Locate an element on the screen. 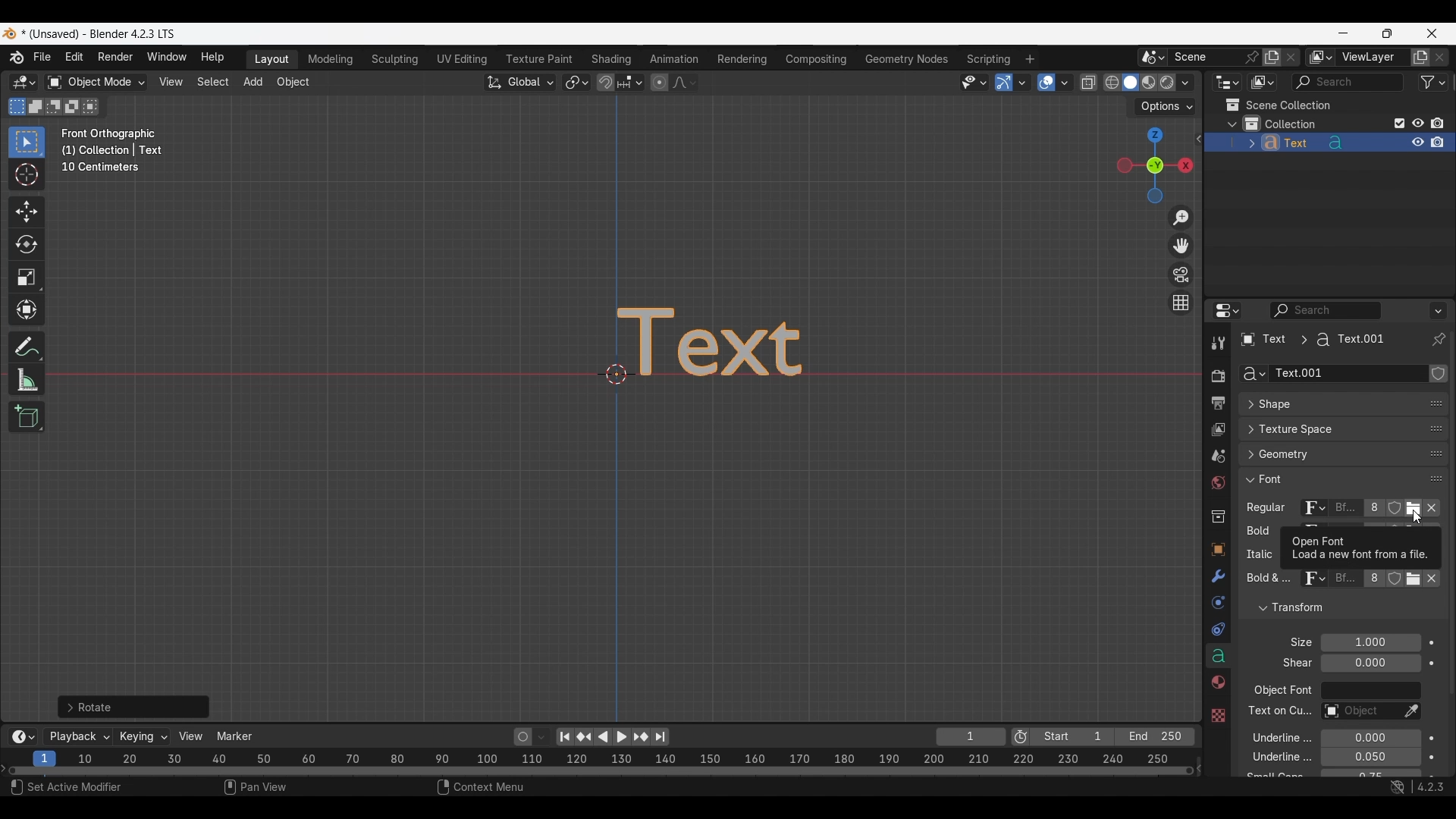 Image resolution: width=1456 pixels, height=819 pixels. Collection 1 is located at coordinates (1283, 124).